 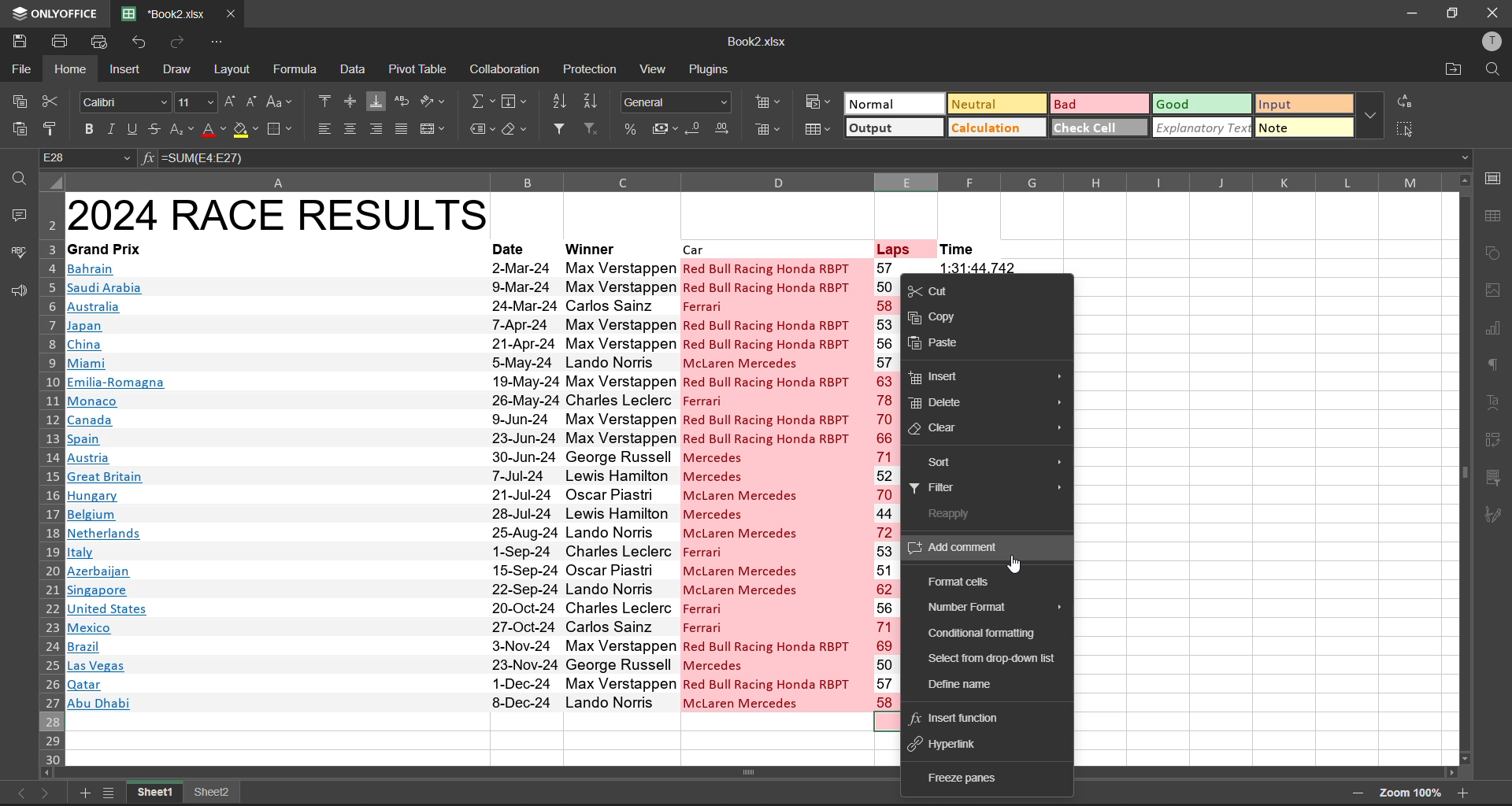 What do you see at coordinates (135, 43) in the screenshot?
I see `undo` at bounding box center [135, 43].